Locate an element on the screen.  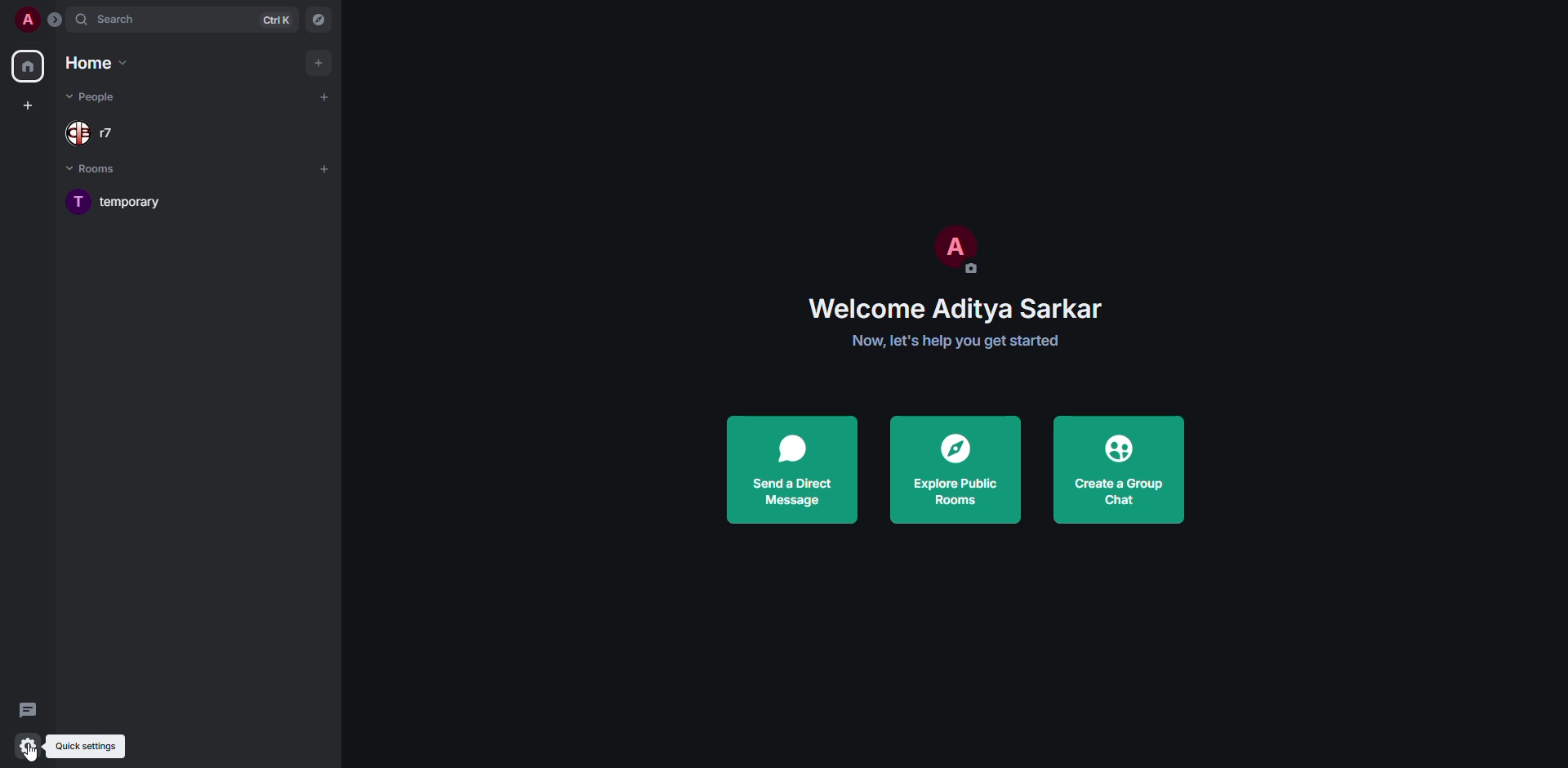
create a group chat is located at coordinates (1118, 468).